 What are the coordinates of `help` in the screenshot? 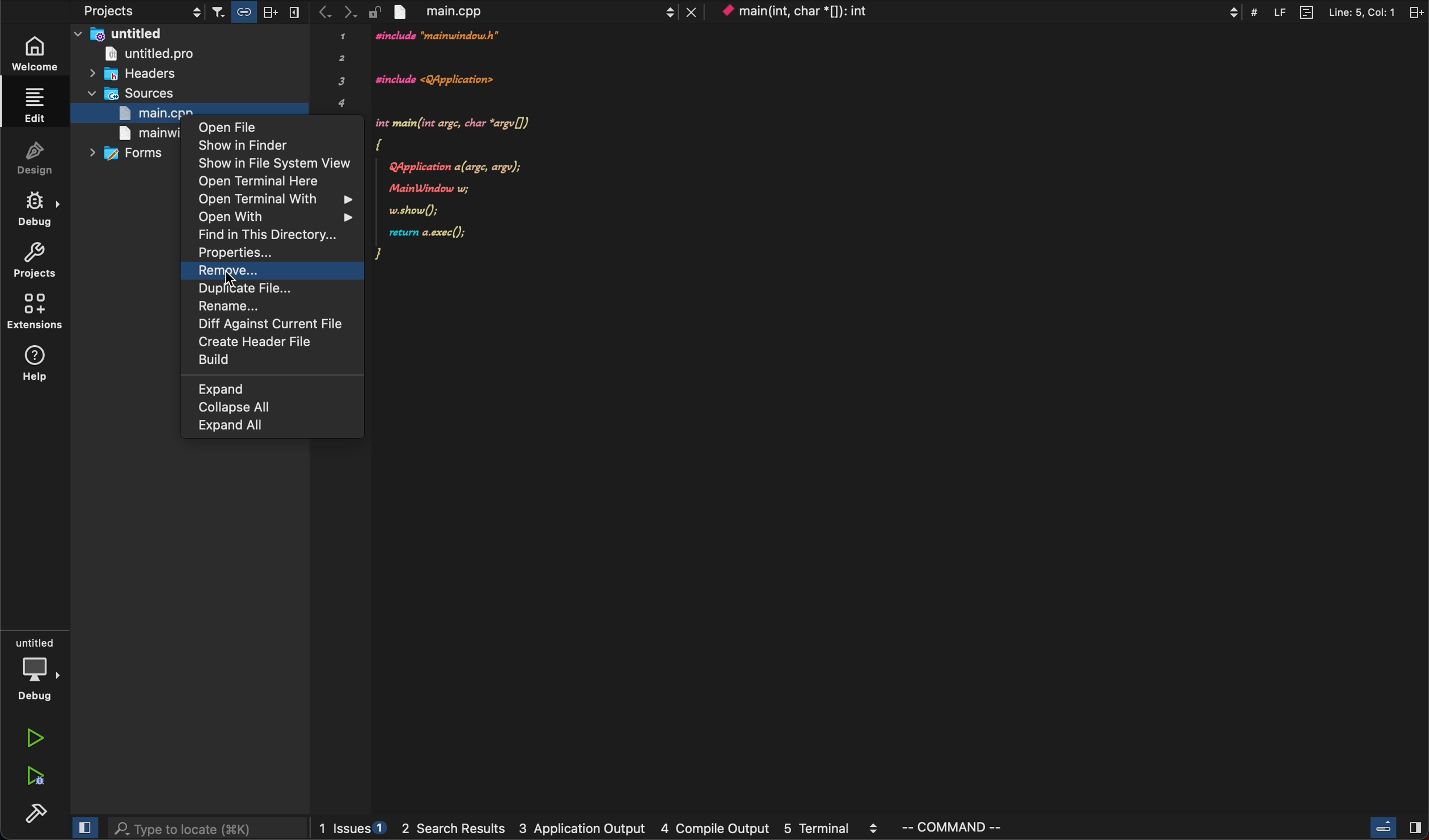 It's located at (34, 367).